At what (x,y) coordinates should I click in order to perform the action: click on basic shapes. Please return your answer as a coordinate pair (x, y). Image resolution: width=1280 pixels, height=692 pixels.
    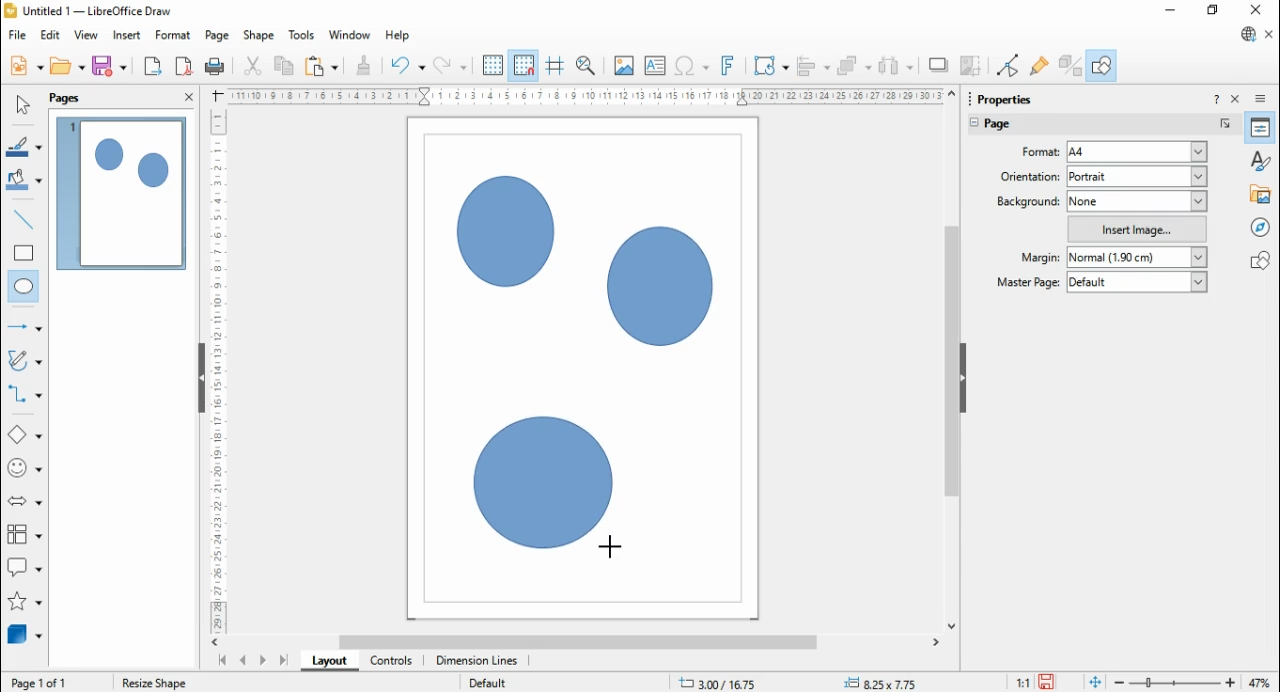
    Looking at the image, I should click on (25, 437).